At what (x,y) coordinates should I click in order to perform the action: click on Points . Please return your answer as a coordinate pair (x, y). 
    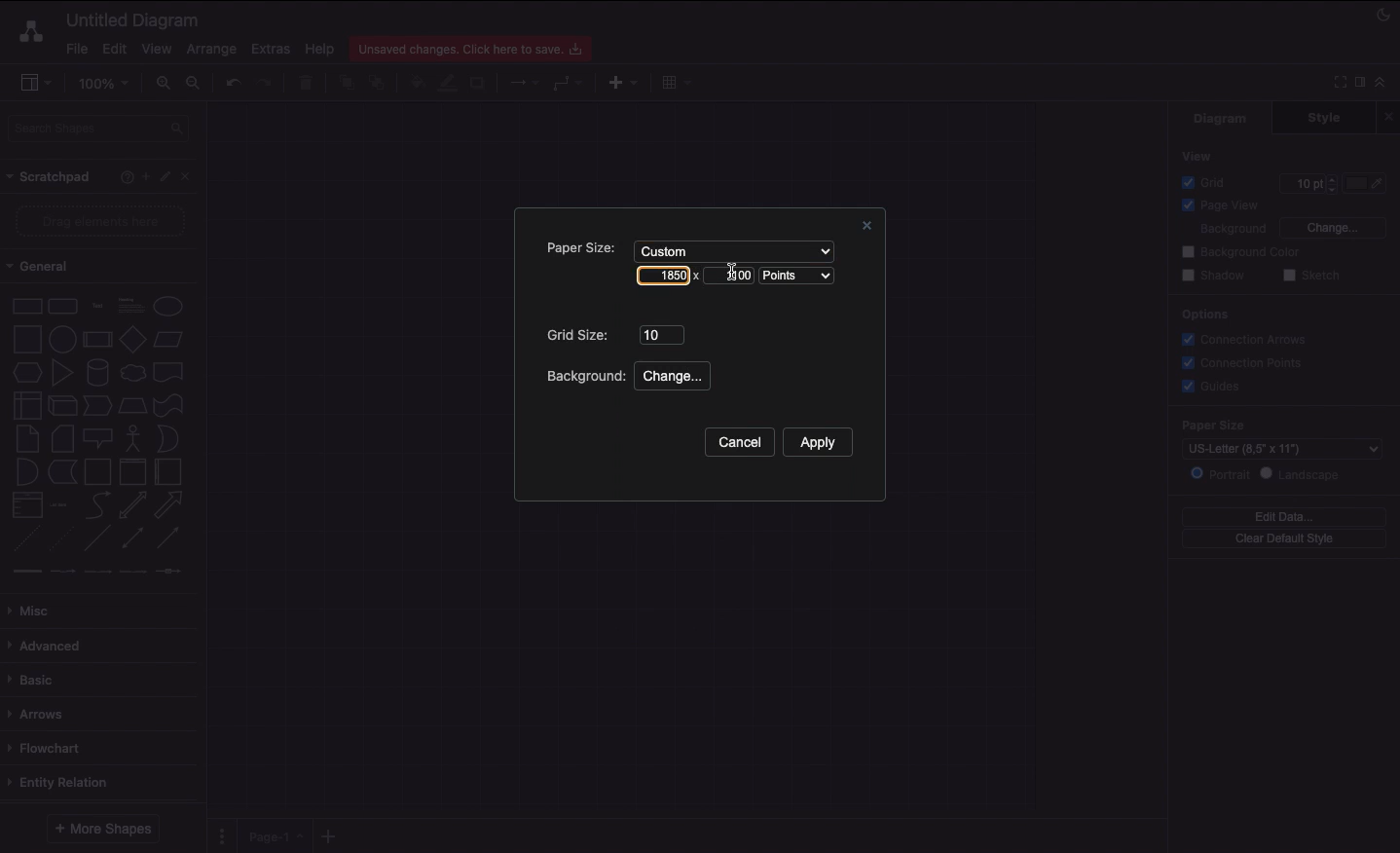
    Looking at the image, I should click on (801, 277).